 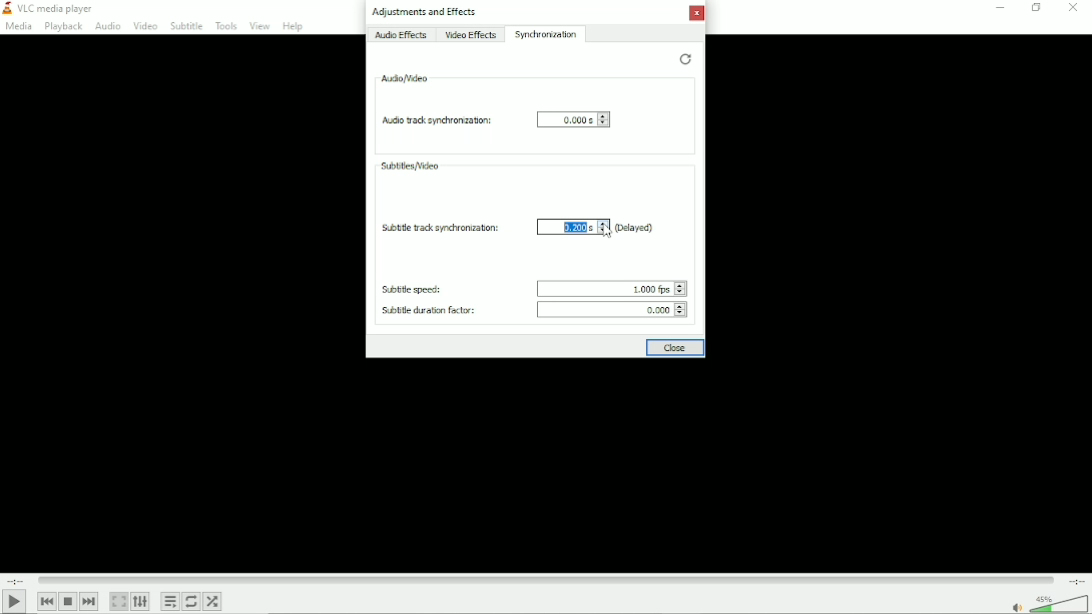 I want to click on Close, so click(x=1075, y=8).